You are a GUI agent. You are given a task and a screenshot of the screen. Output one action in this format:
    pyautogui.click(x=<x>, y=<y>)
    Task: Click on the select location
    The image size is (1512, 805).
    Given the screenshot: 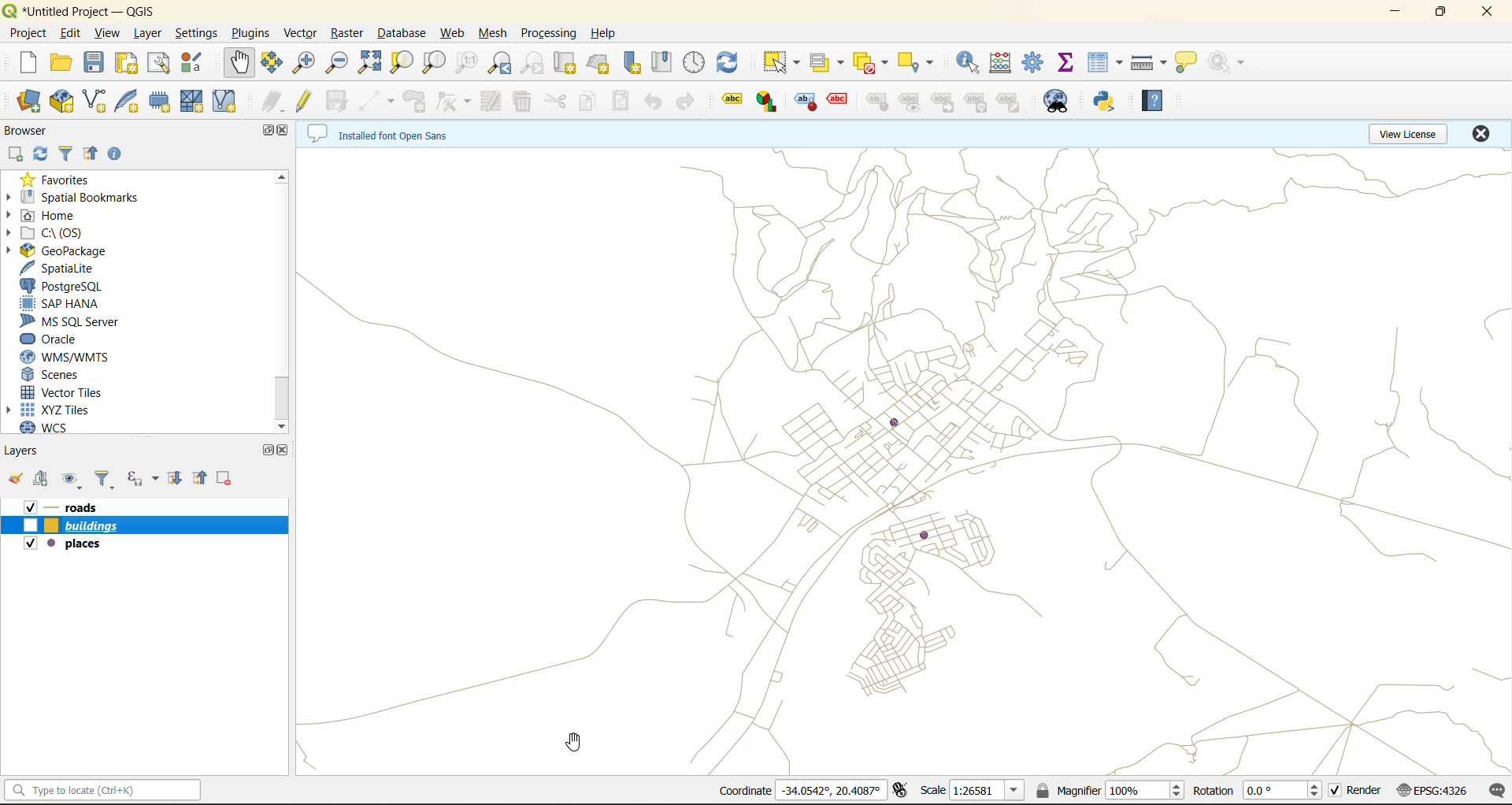 What is the action you would take?
    pyautogui.click(x=917, y=63)
    